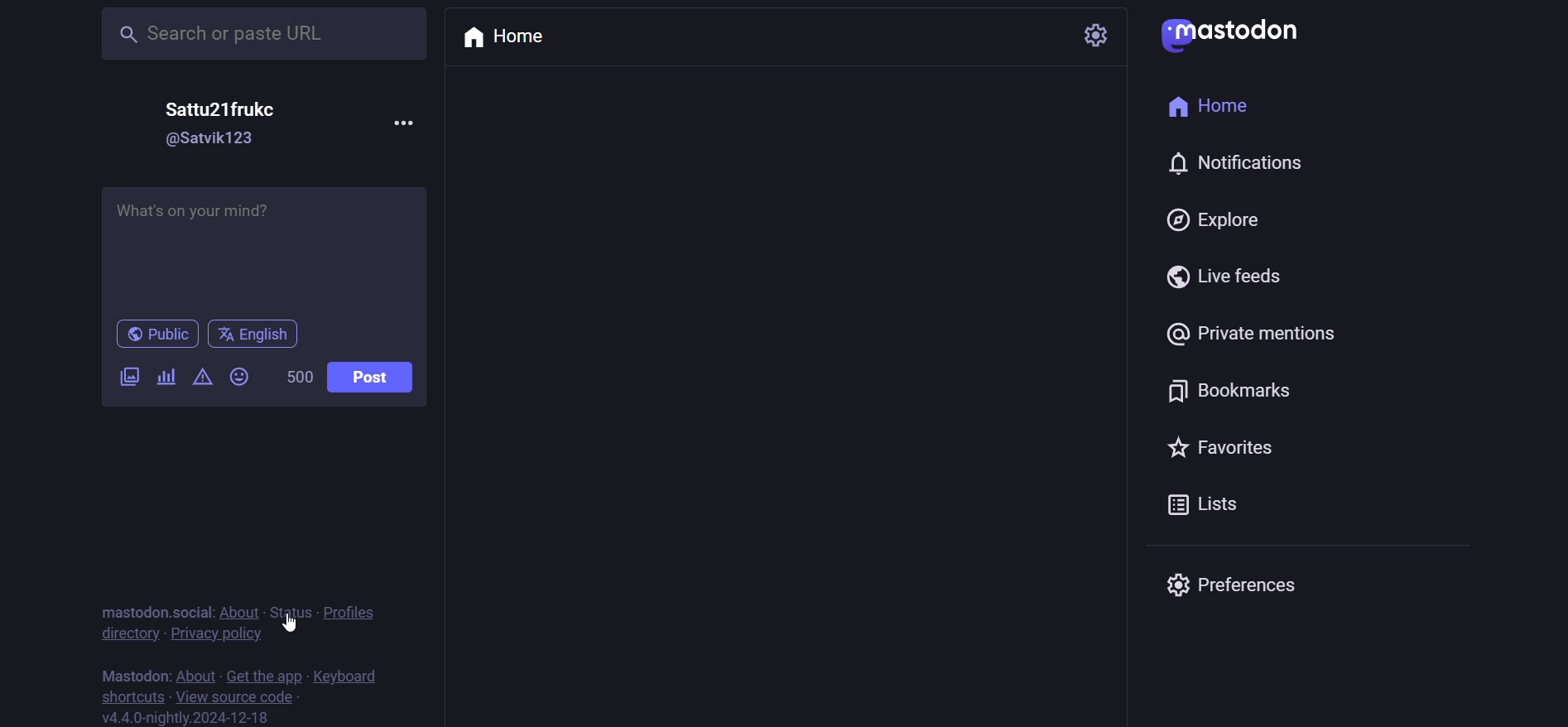  I want to click on notification, so click(1224, 161).